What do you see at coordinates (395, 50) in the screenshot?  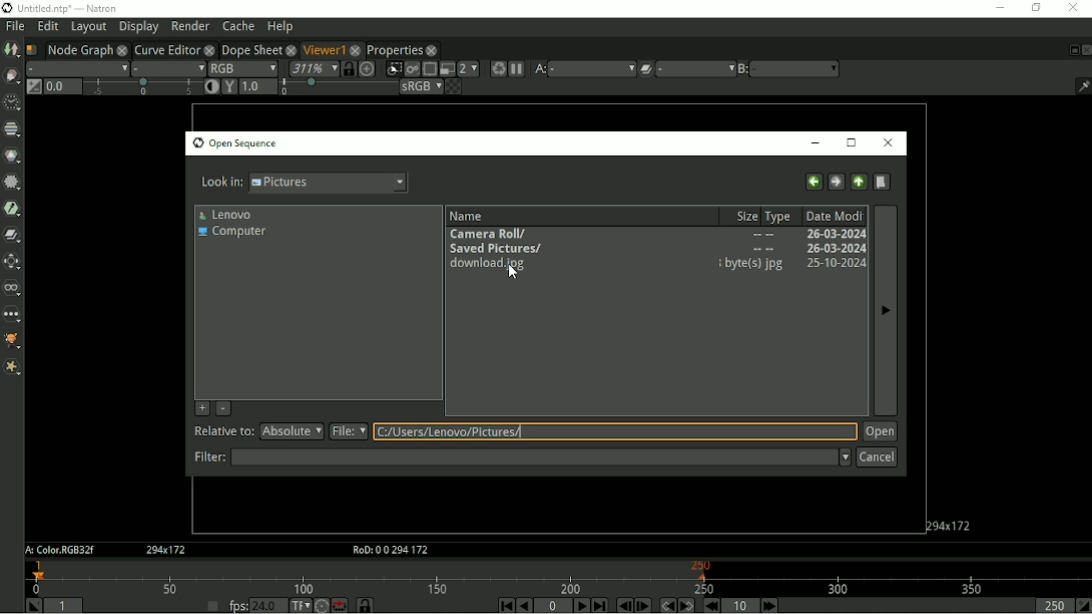 I see `Properties` at bounding box center [395, 50].